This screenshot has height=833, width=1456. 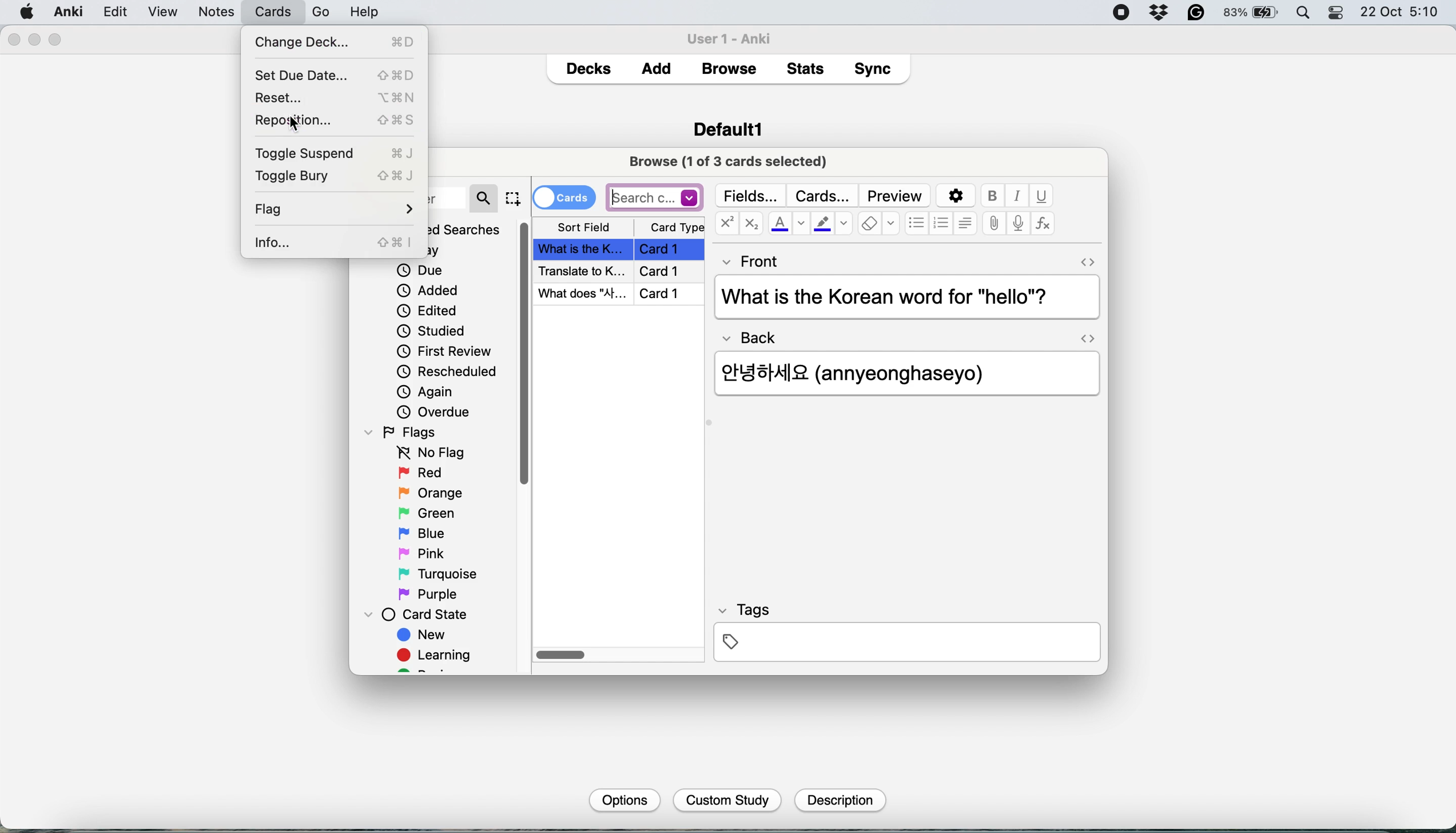 What do you see at coordinates (420, 270) in the screenshot?
I see `due` at bounding box center [420, 270].